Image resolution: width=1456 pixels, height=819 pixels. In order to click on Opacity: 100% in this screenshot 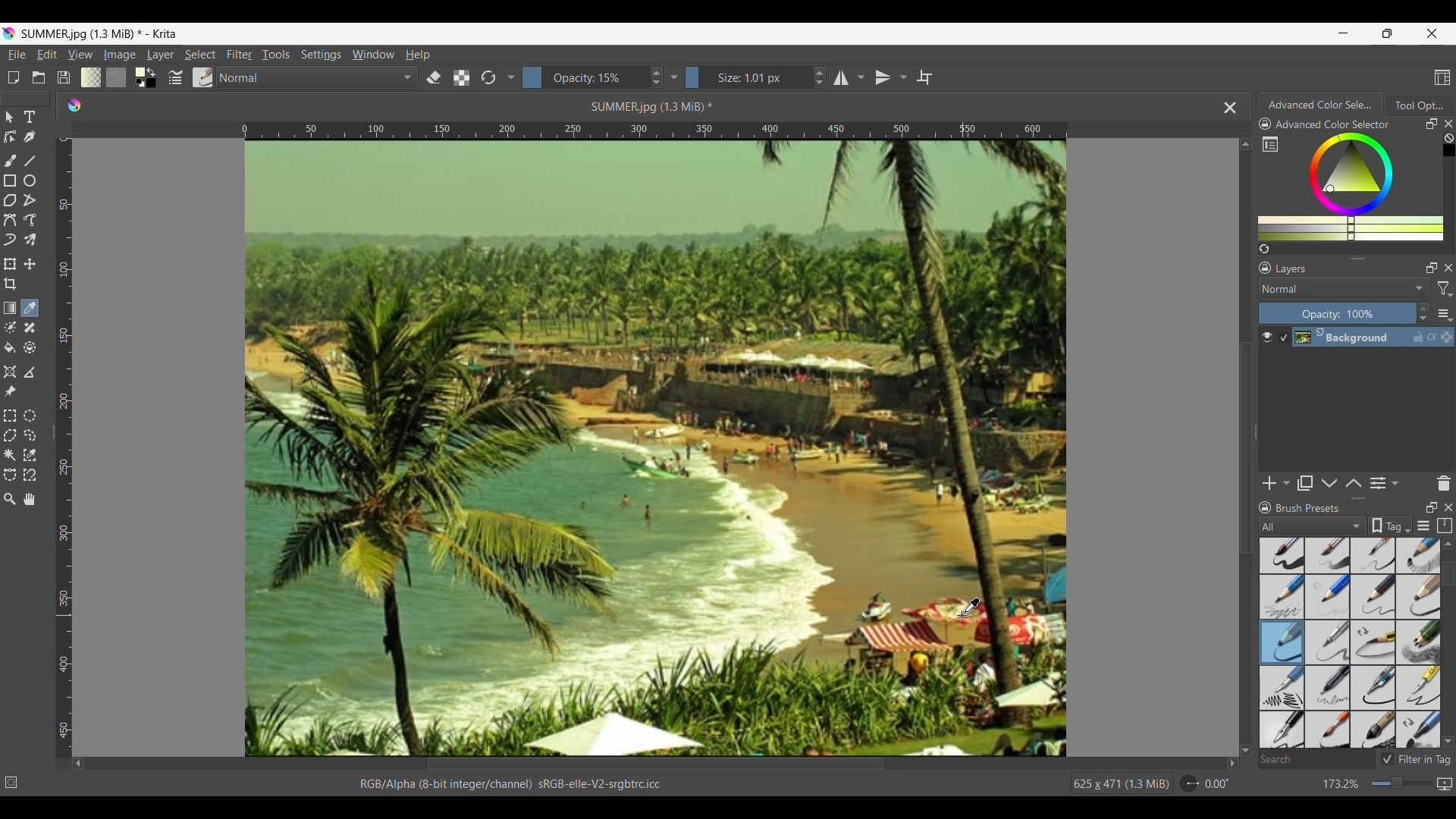, I will do `click(1337, 314)`.